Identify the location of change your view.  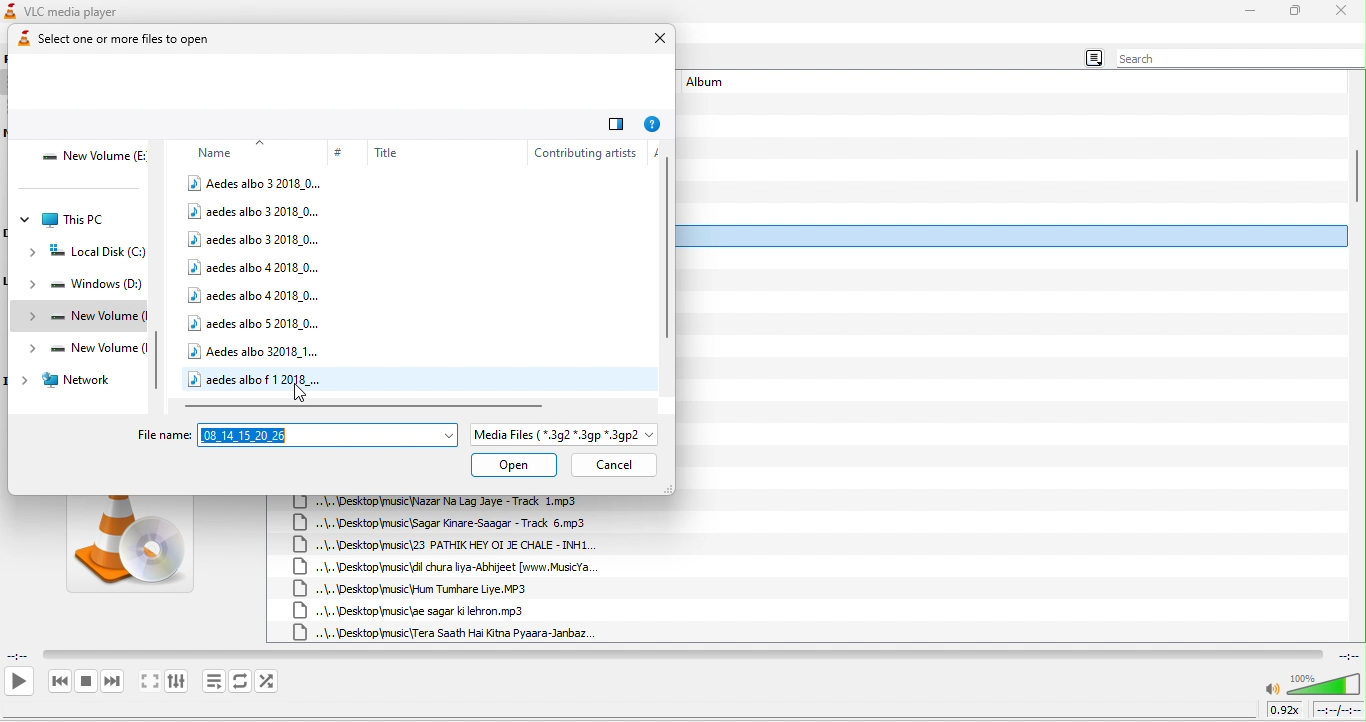
(616, 122).